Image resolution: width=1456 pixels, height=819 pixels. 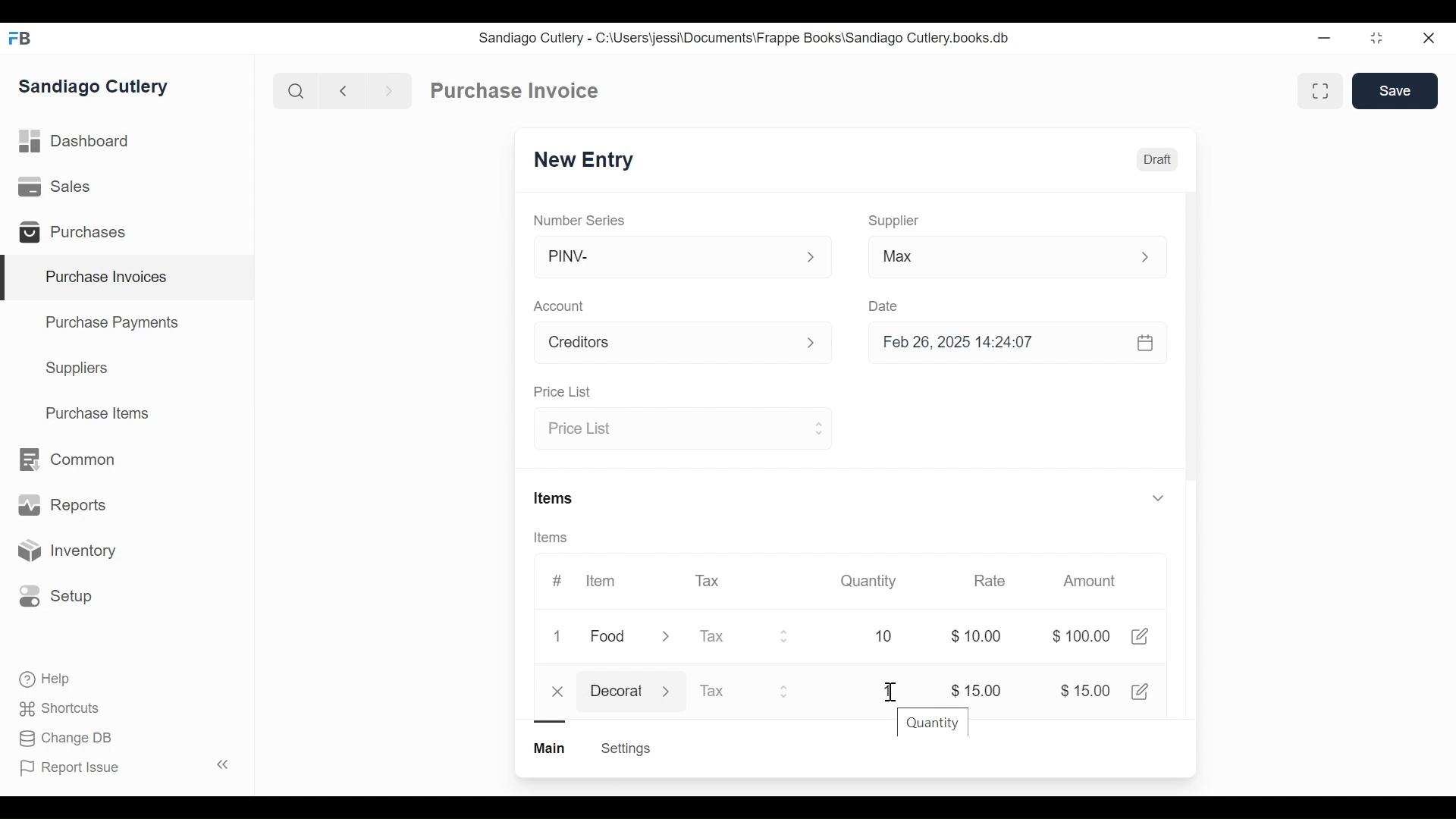 What do you see at coordinates (817, 427) in the screenshot?
I see `Expand` at bounding box center [817, 427].